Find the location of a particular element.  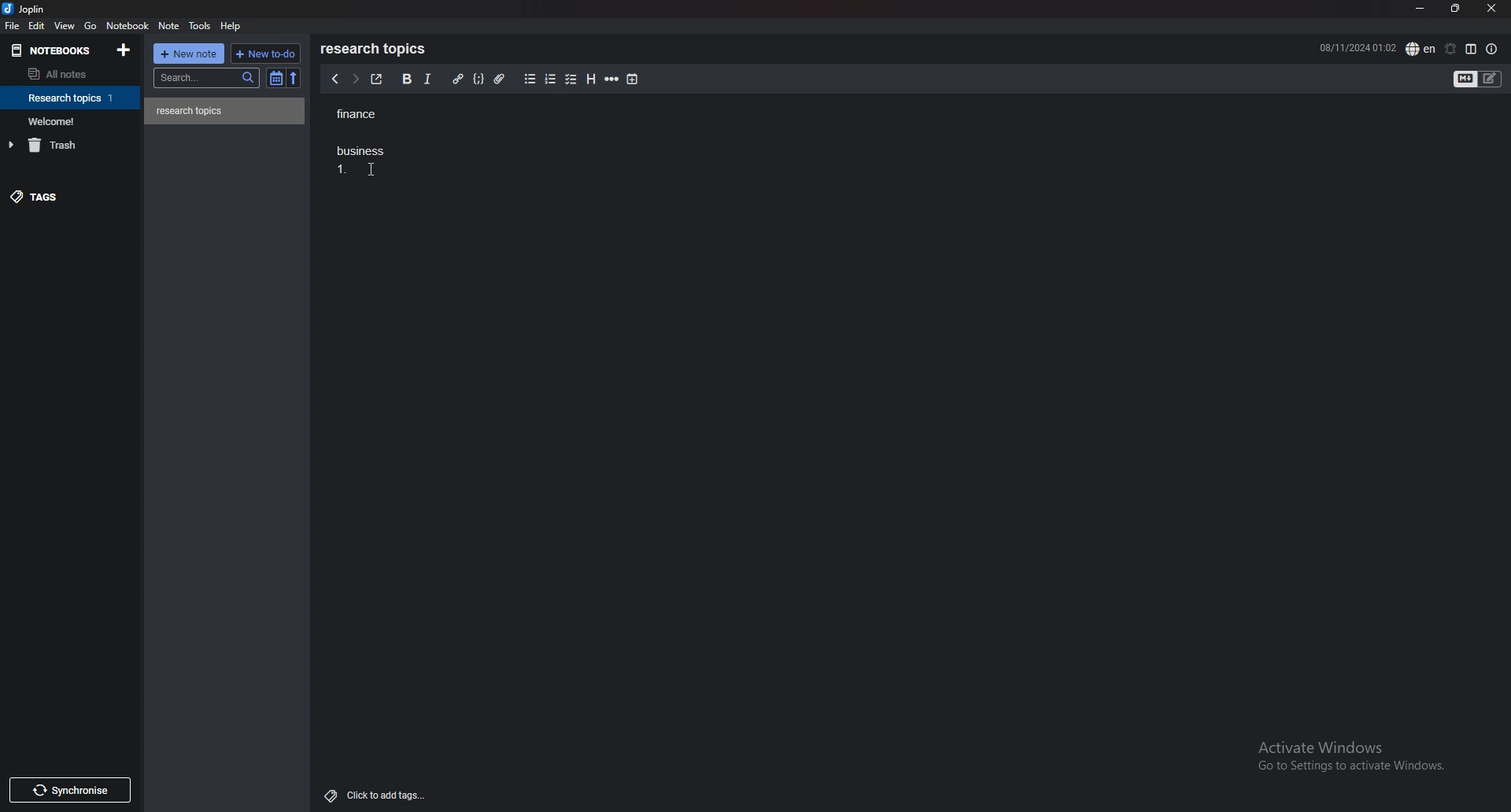

toggle editor is located at coordinates (1479, 79).